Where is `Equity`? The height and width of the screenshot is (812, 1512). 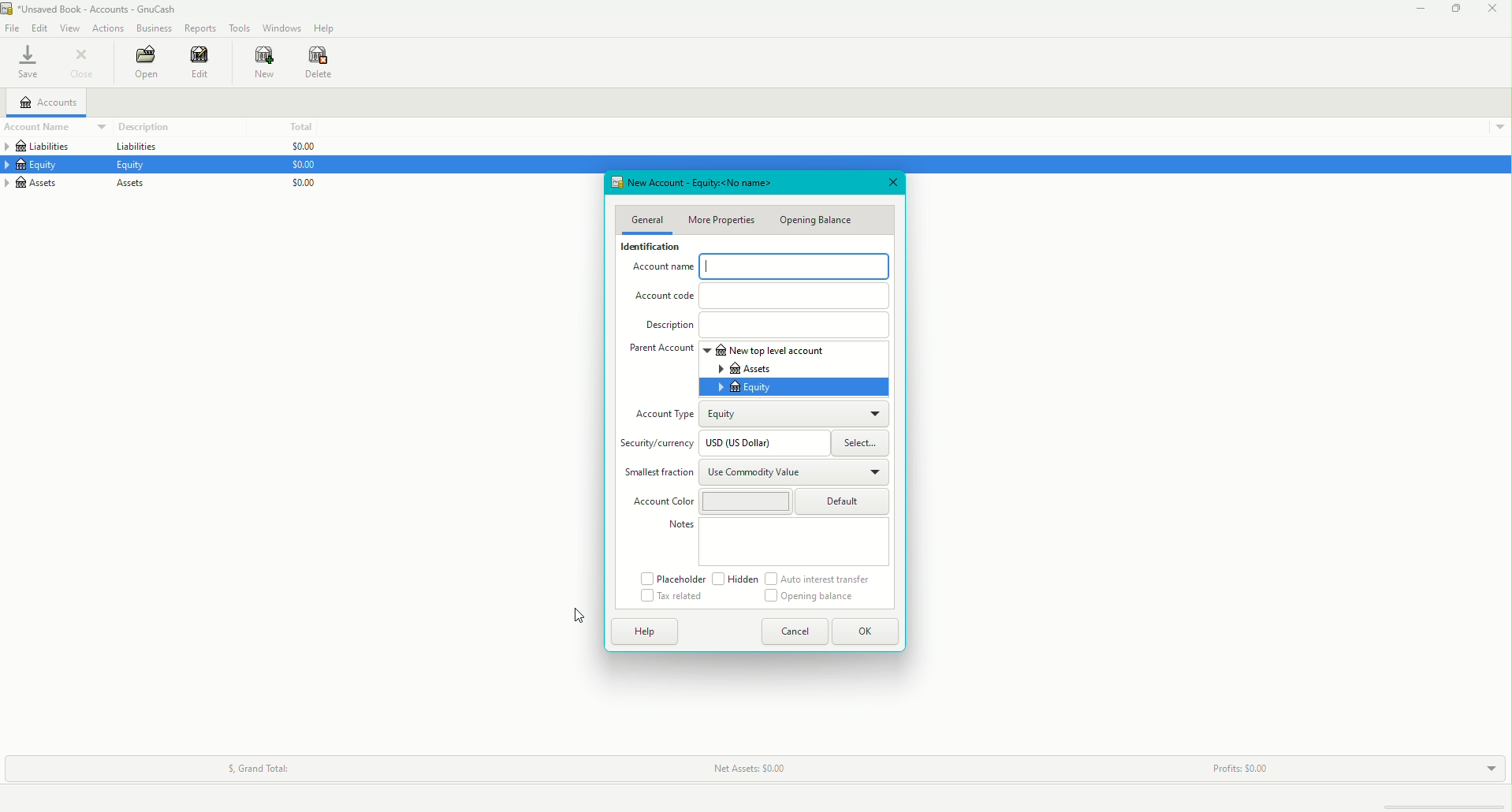 Equity is located at coordinates (795, 388).